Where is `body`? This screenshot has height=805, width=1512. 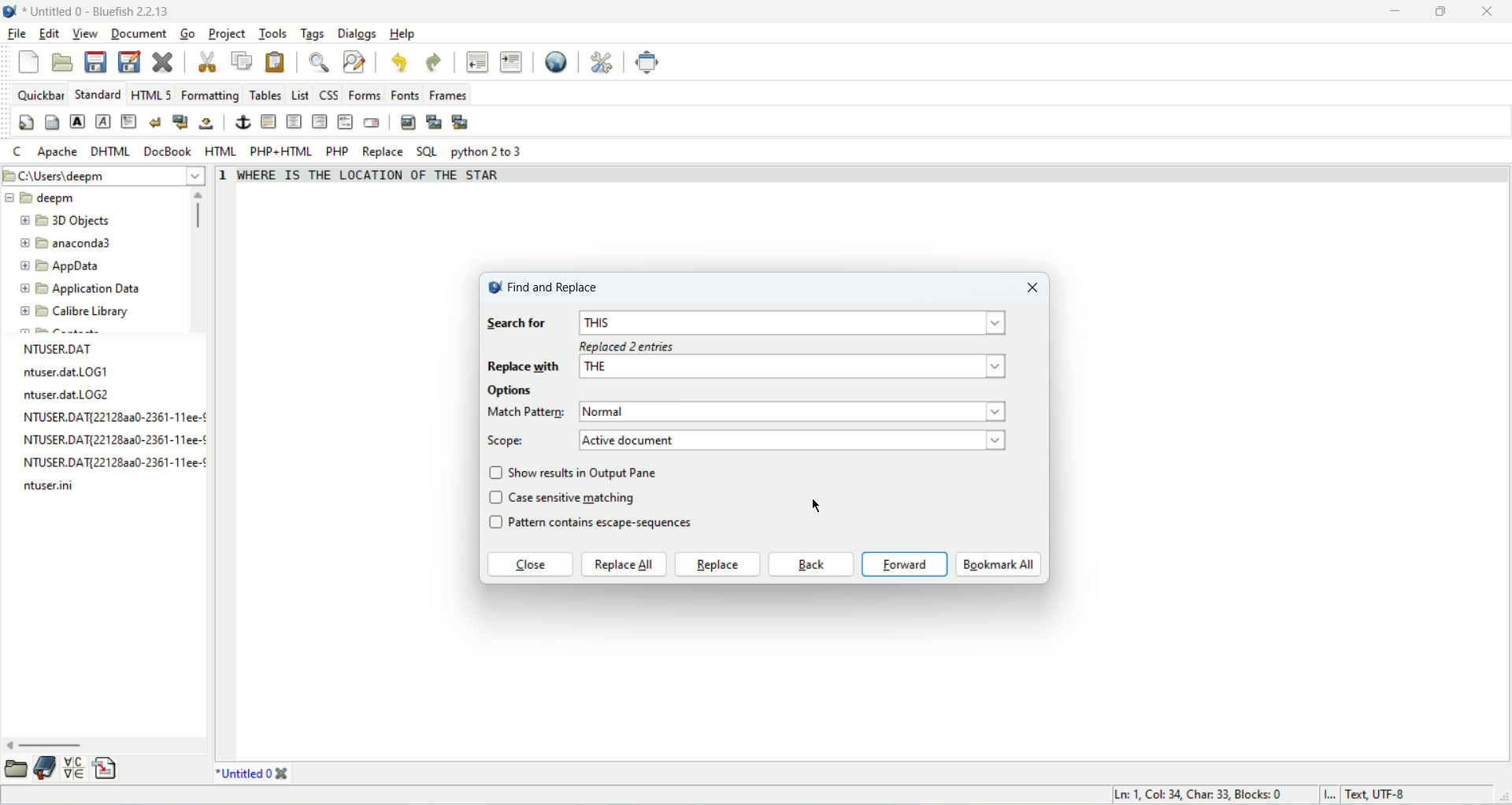 body is located at coordinates (53, 123).